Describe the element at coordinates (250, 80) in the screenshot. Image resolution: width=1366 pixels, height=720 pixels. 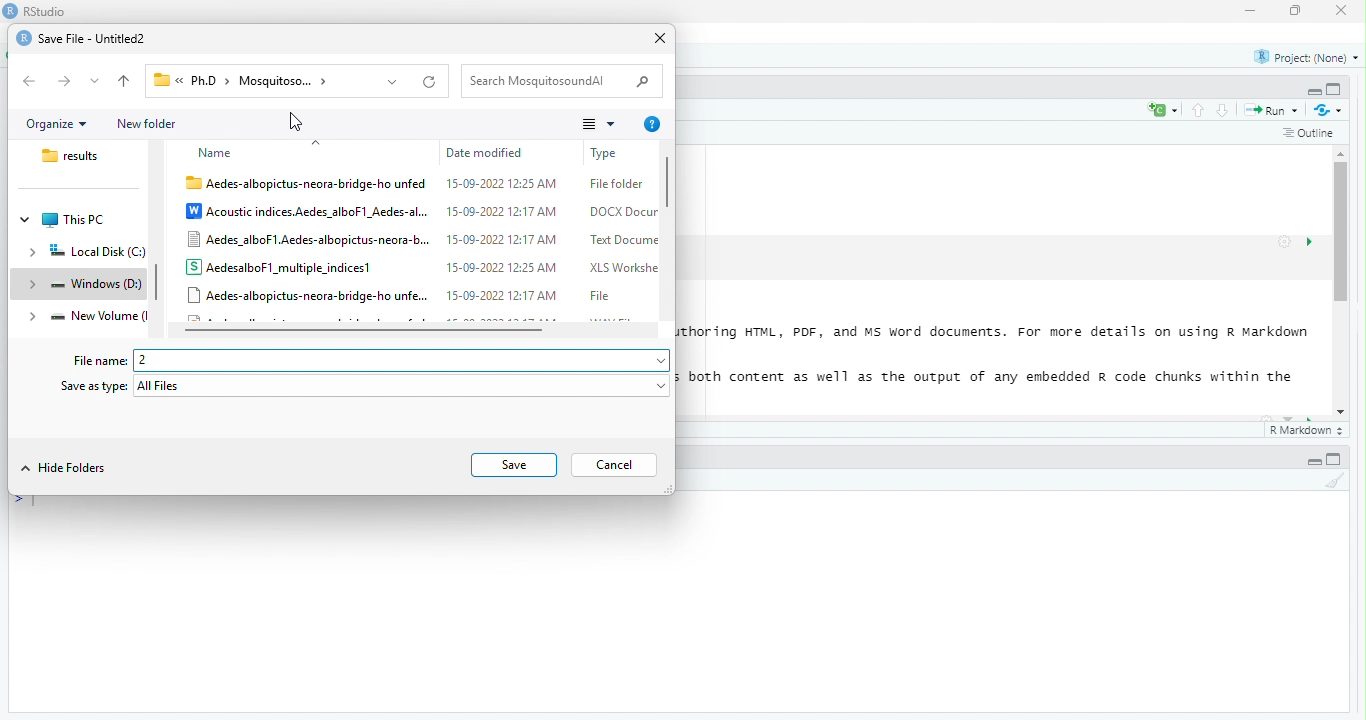
I see `« PhD > Mosquitoso... >` at that location.